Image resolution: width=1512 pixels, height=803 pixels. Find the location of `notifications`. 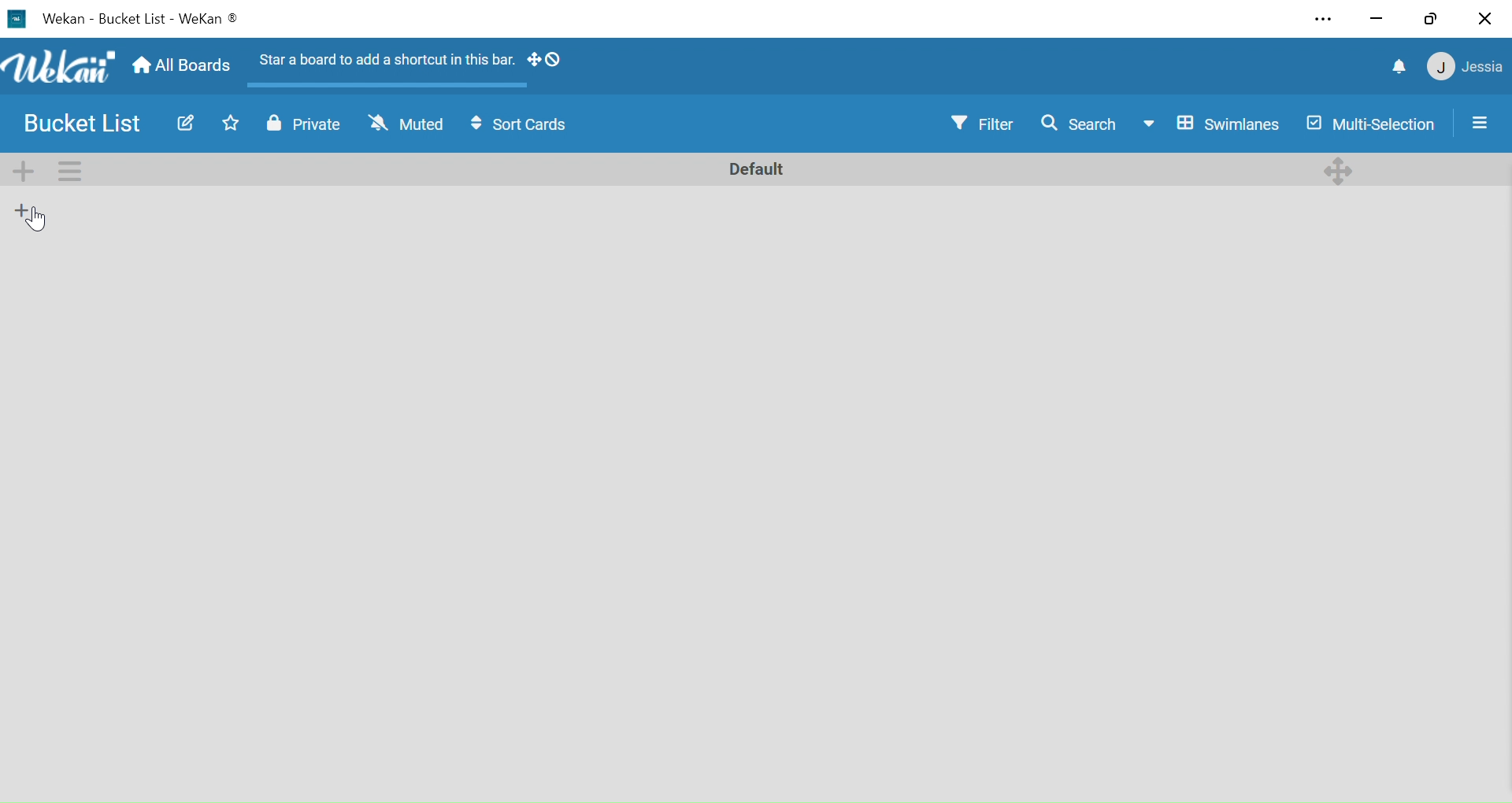

notifications is located at coordinates (1401, 68).